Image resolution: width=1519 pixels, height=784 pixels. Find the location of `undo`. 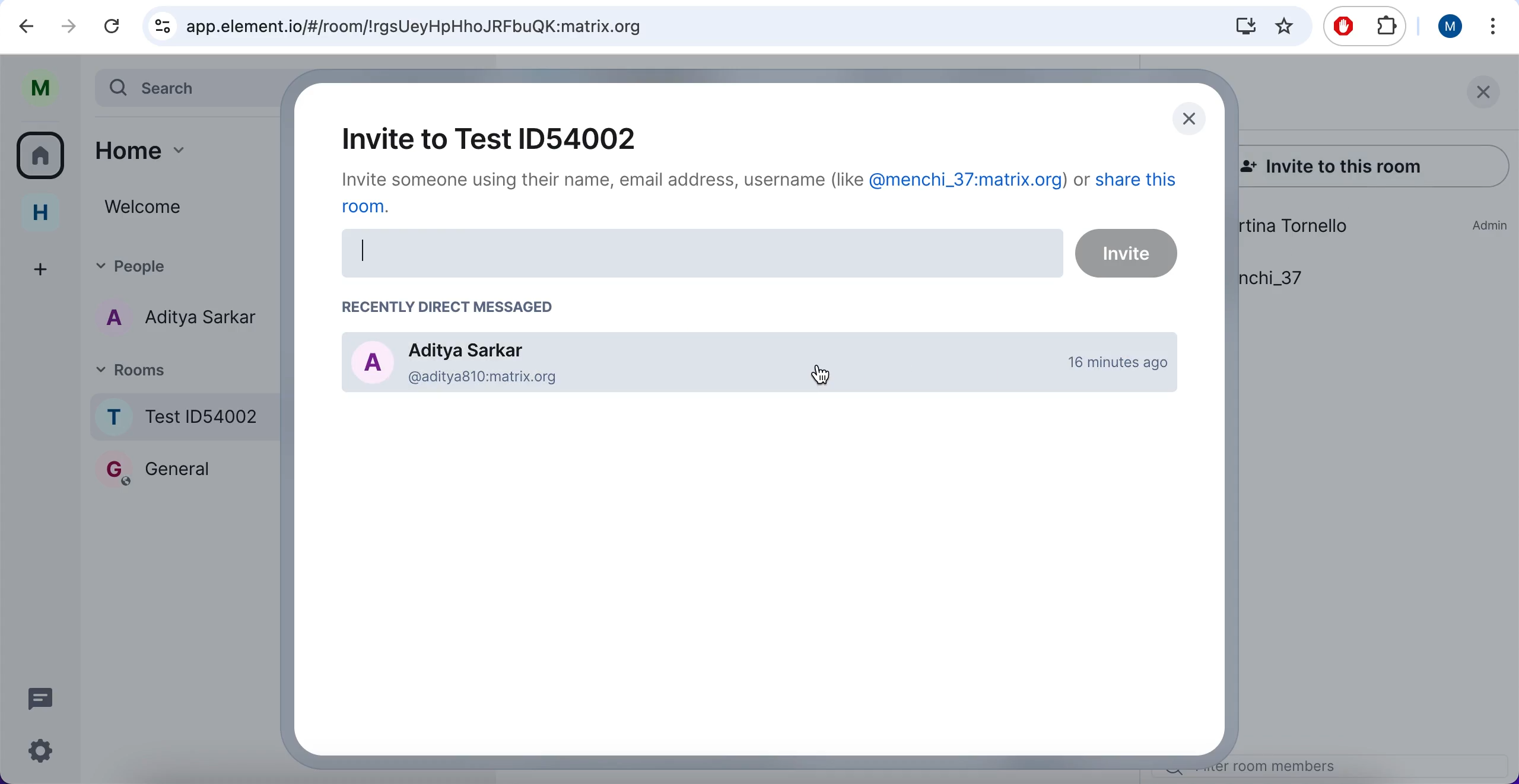

undo is located at coordinates (31, 28).